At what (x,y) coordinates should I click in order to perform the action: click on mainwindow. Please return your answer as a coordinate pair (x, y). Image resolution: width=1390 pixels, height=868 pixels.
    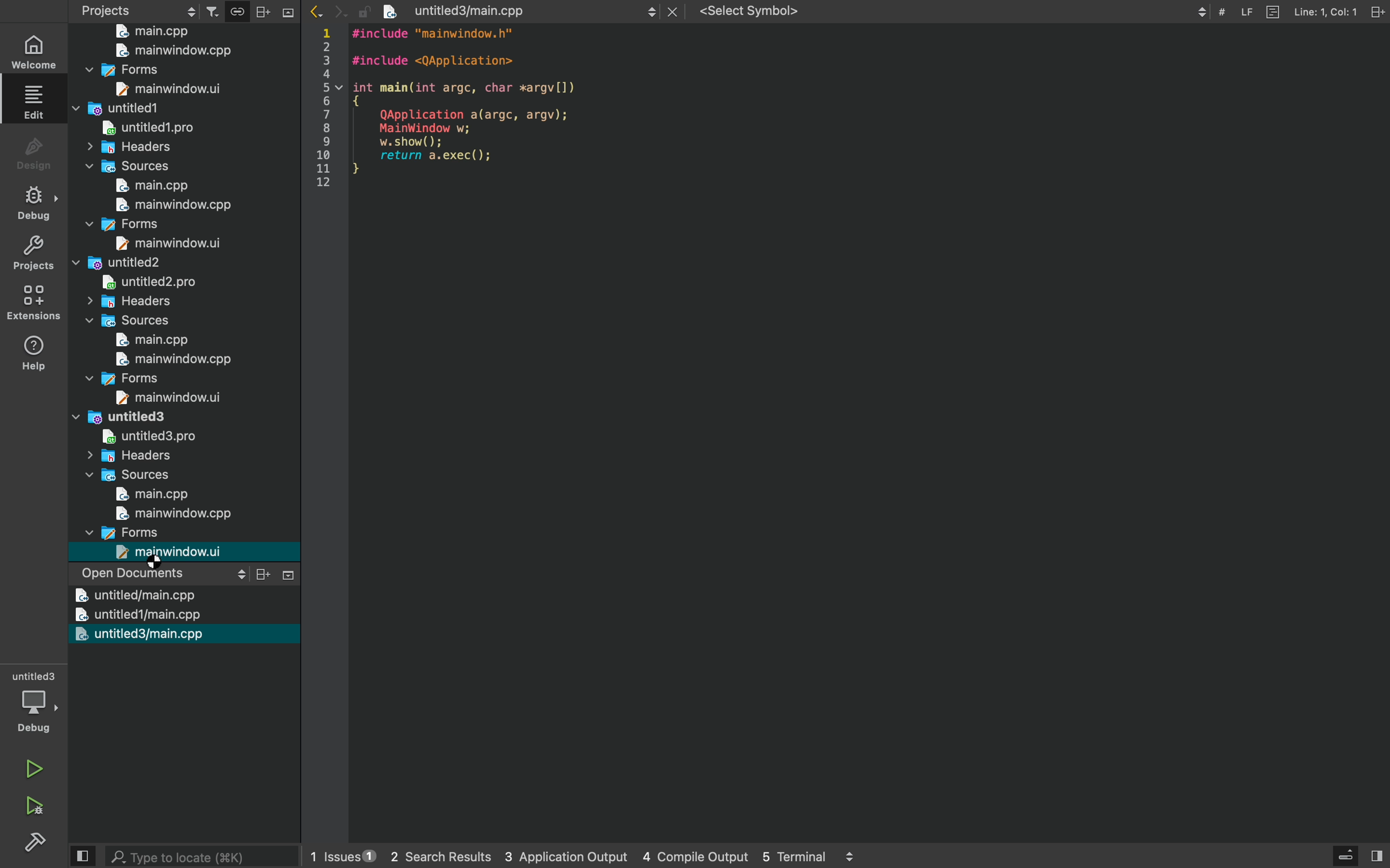
    Looking at the image, I should click on (158, 71).